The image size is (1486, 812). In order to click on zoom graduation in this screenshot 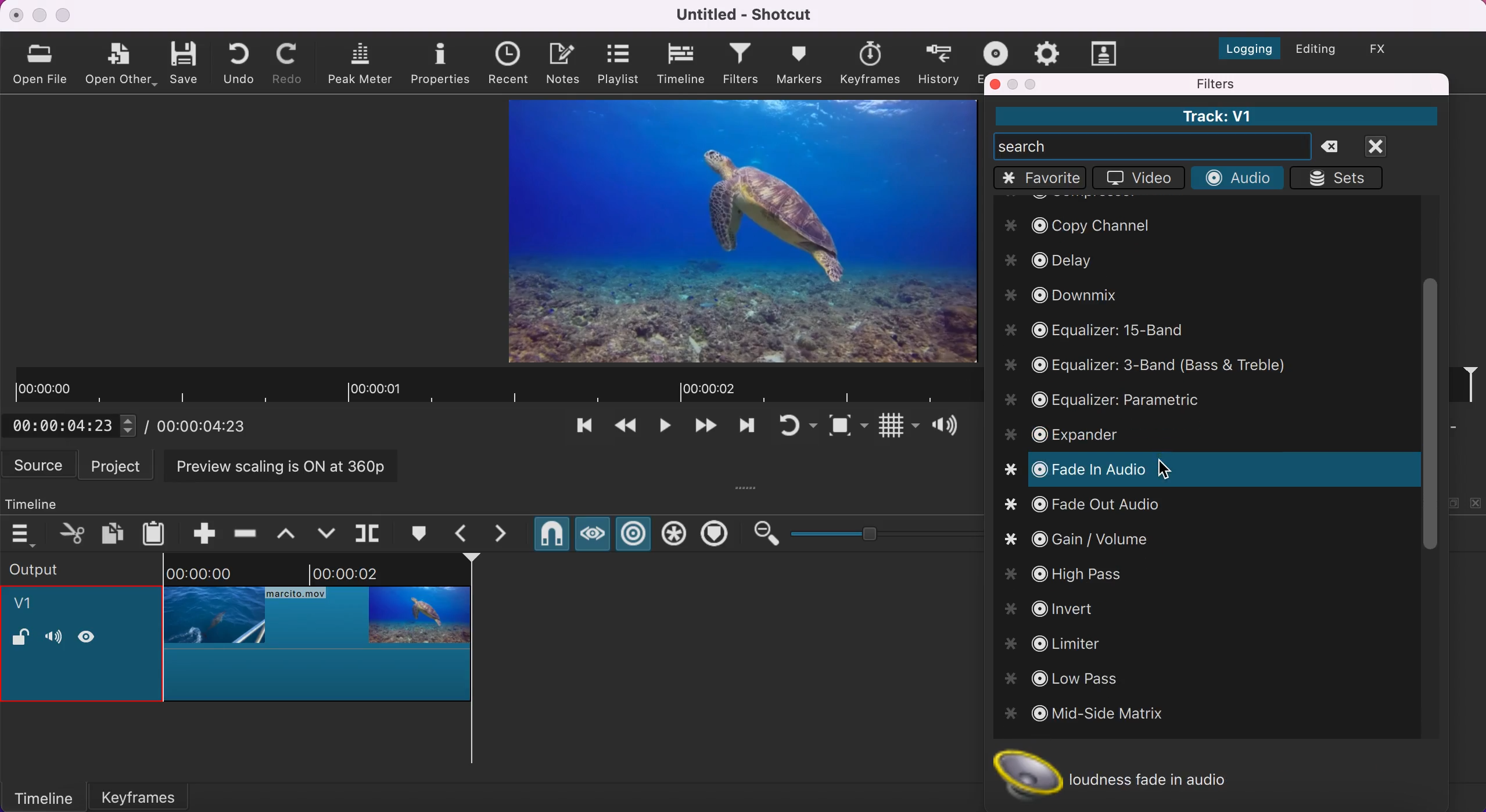, I will do `click(884, 531)`.